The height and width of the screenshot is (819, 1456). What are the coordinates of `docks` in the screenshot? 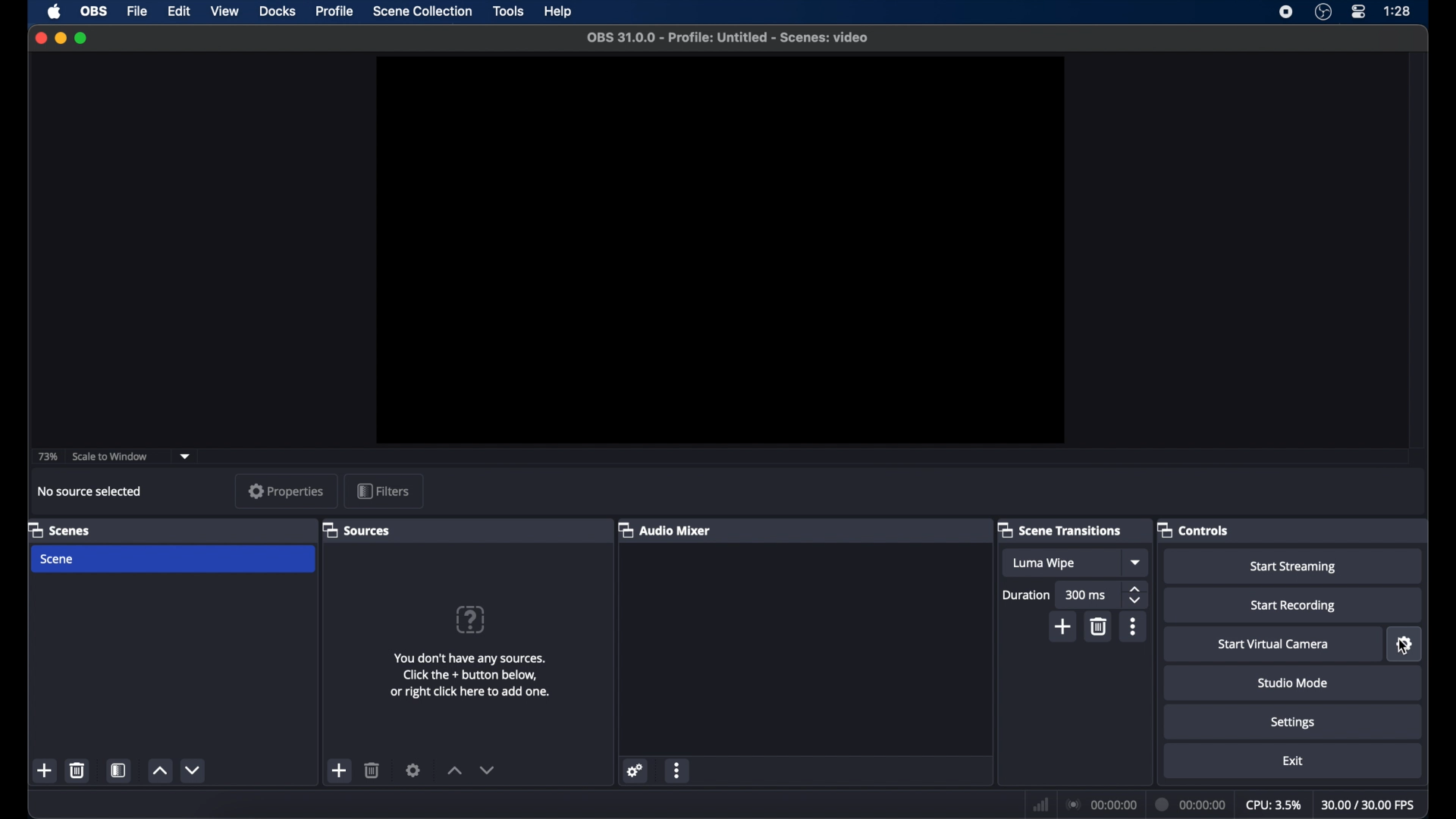 It's located at (278, 12).